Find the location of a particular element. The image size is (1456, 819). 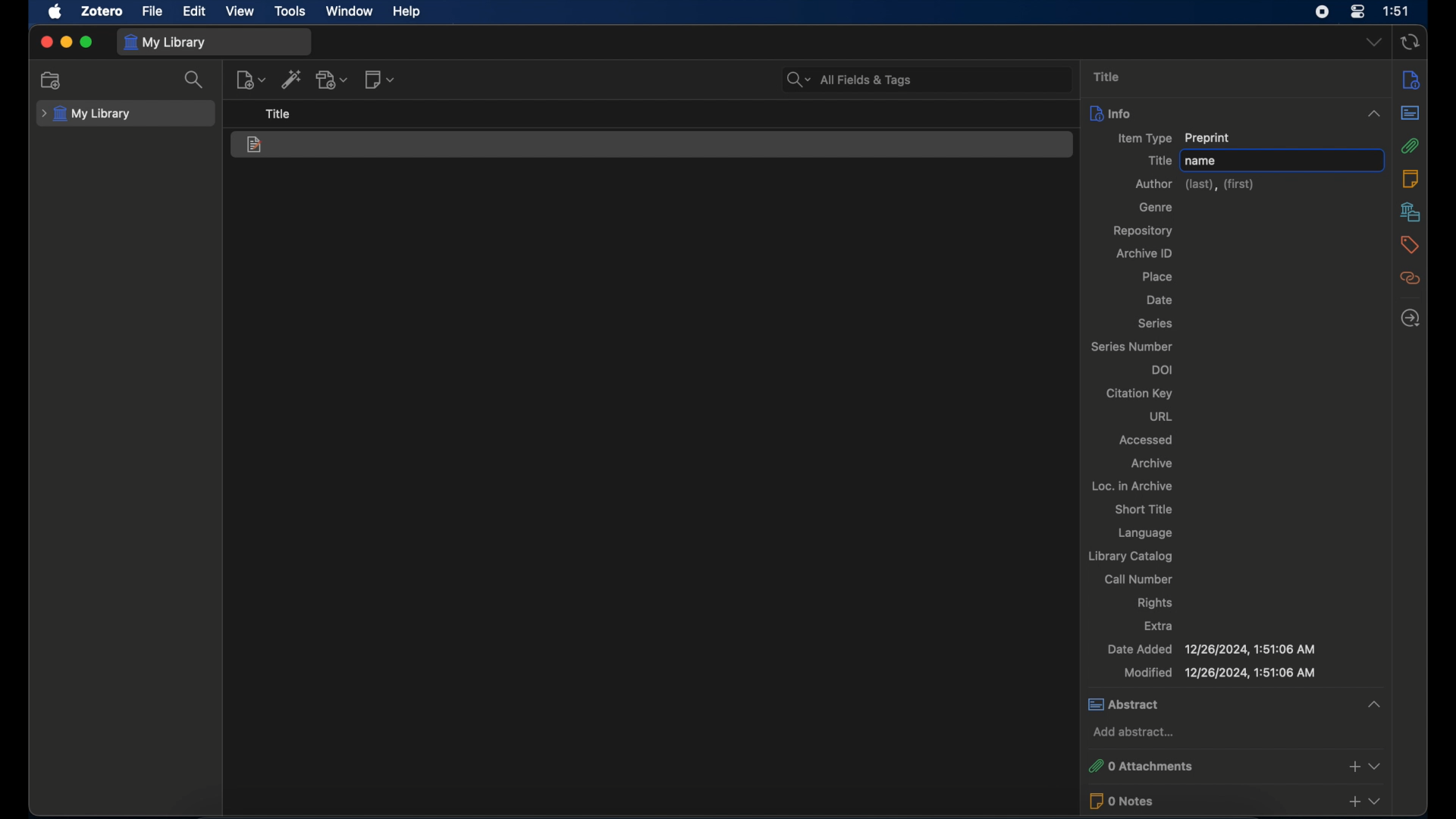

rights is located at coordinates (1155, 603).